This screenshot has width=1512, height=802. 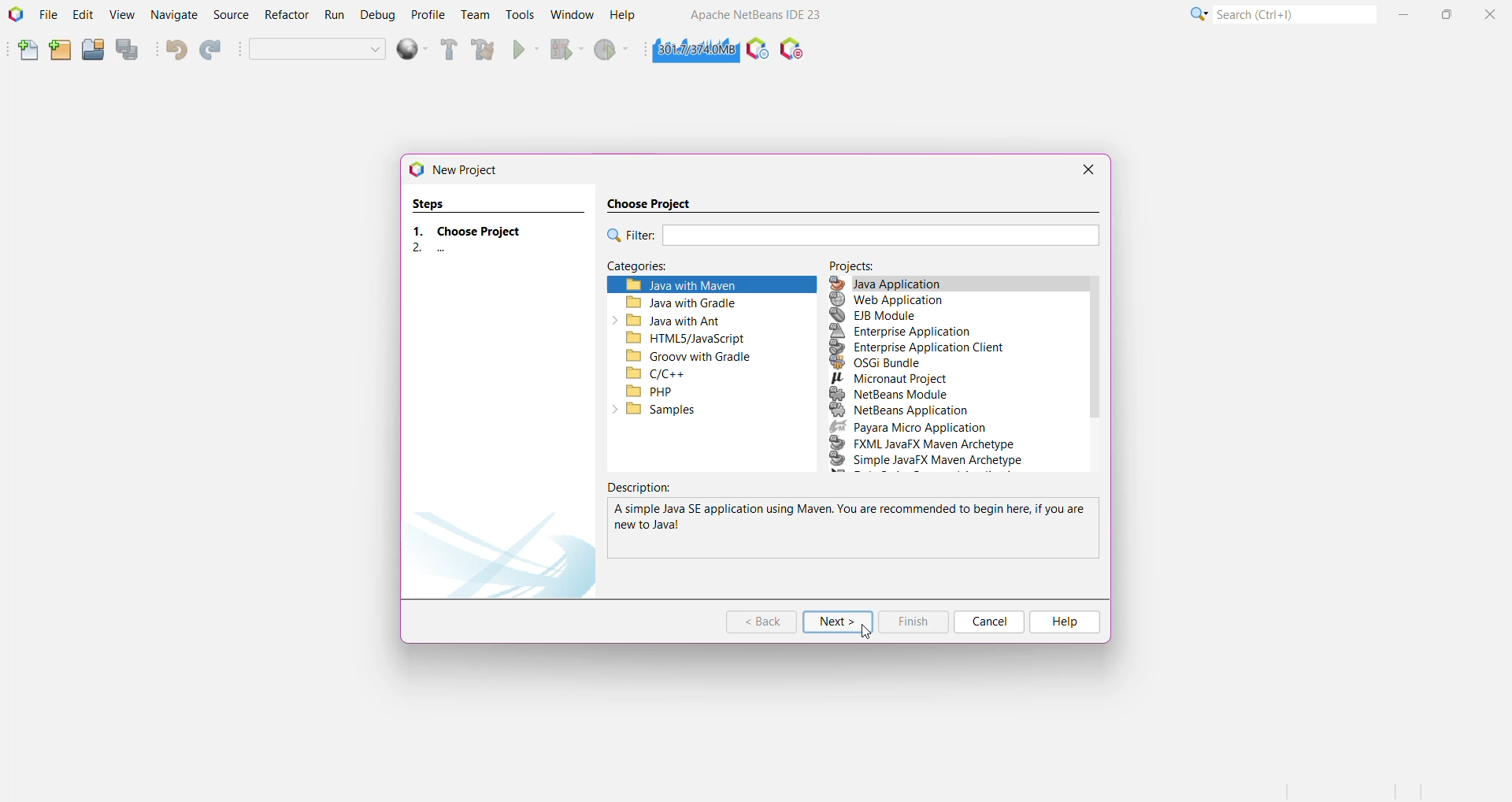 I want to click on Open Project, so click(x=92, y=51).